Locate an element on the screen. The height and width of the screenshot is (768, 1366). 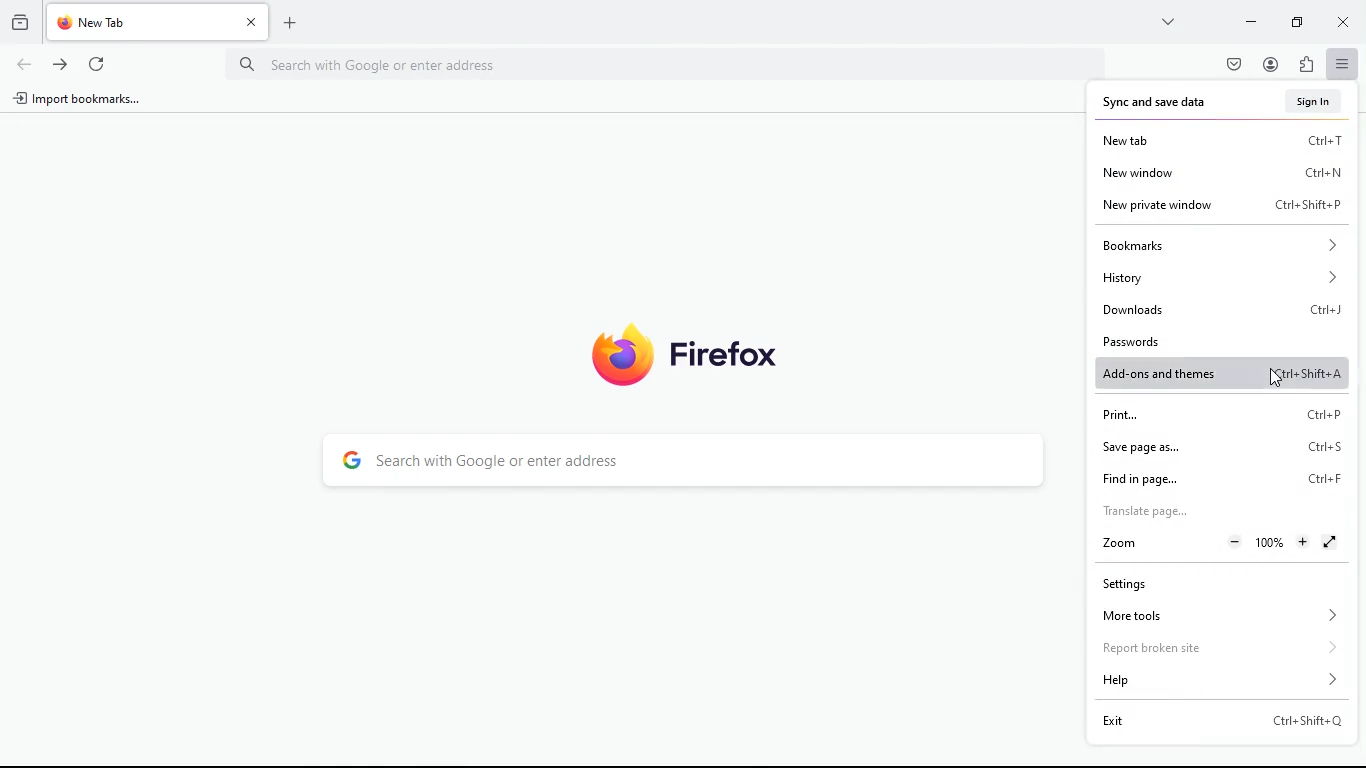
exit is located at coordinates (1220, 720).